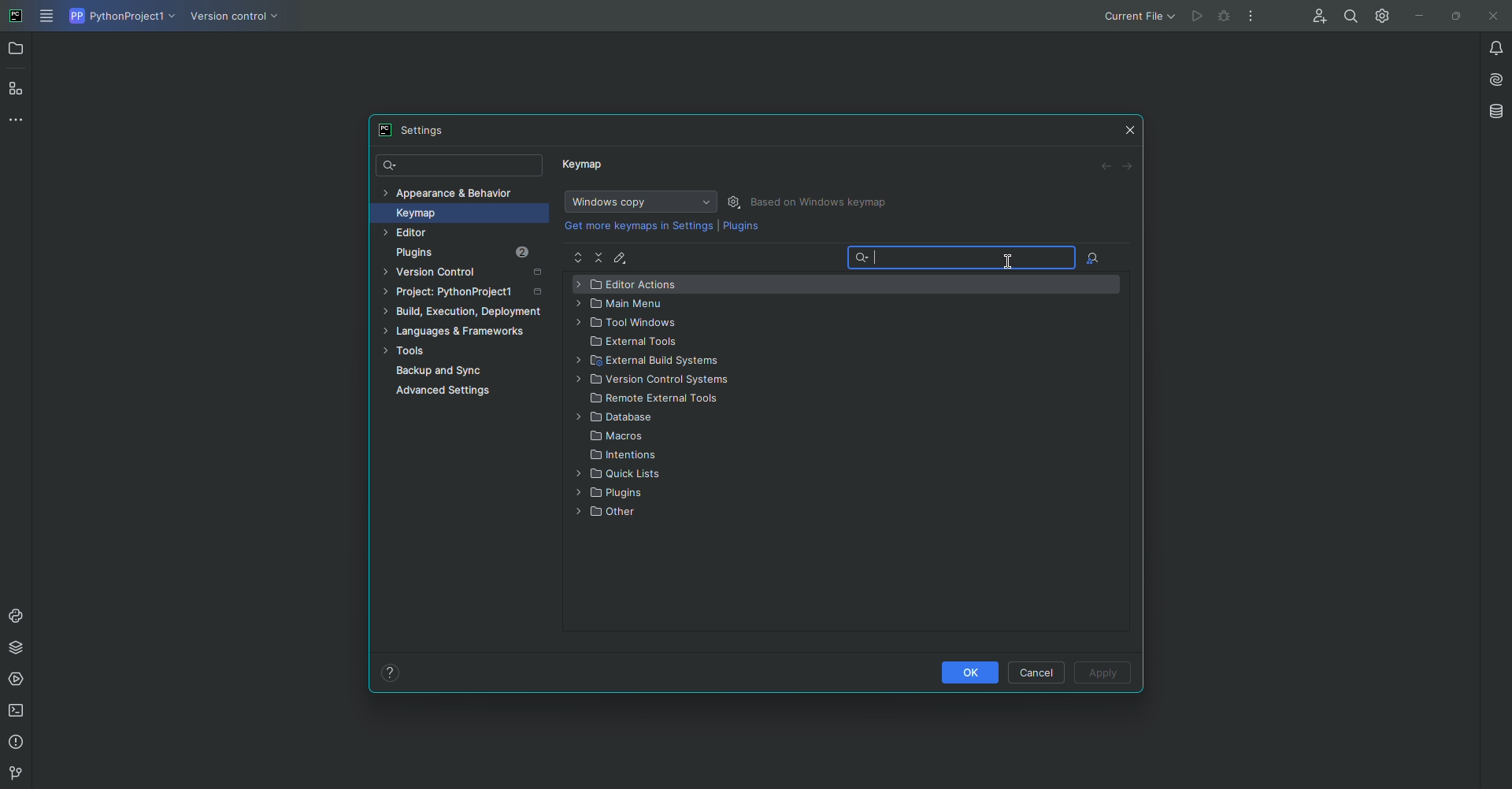  I want to click on Collapse, so click(600, 257).